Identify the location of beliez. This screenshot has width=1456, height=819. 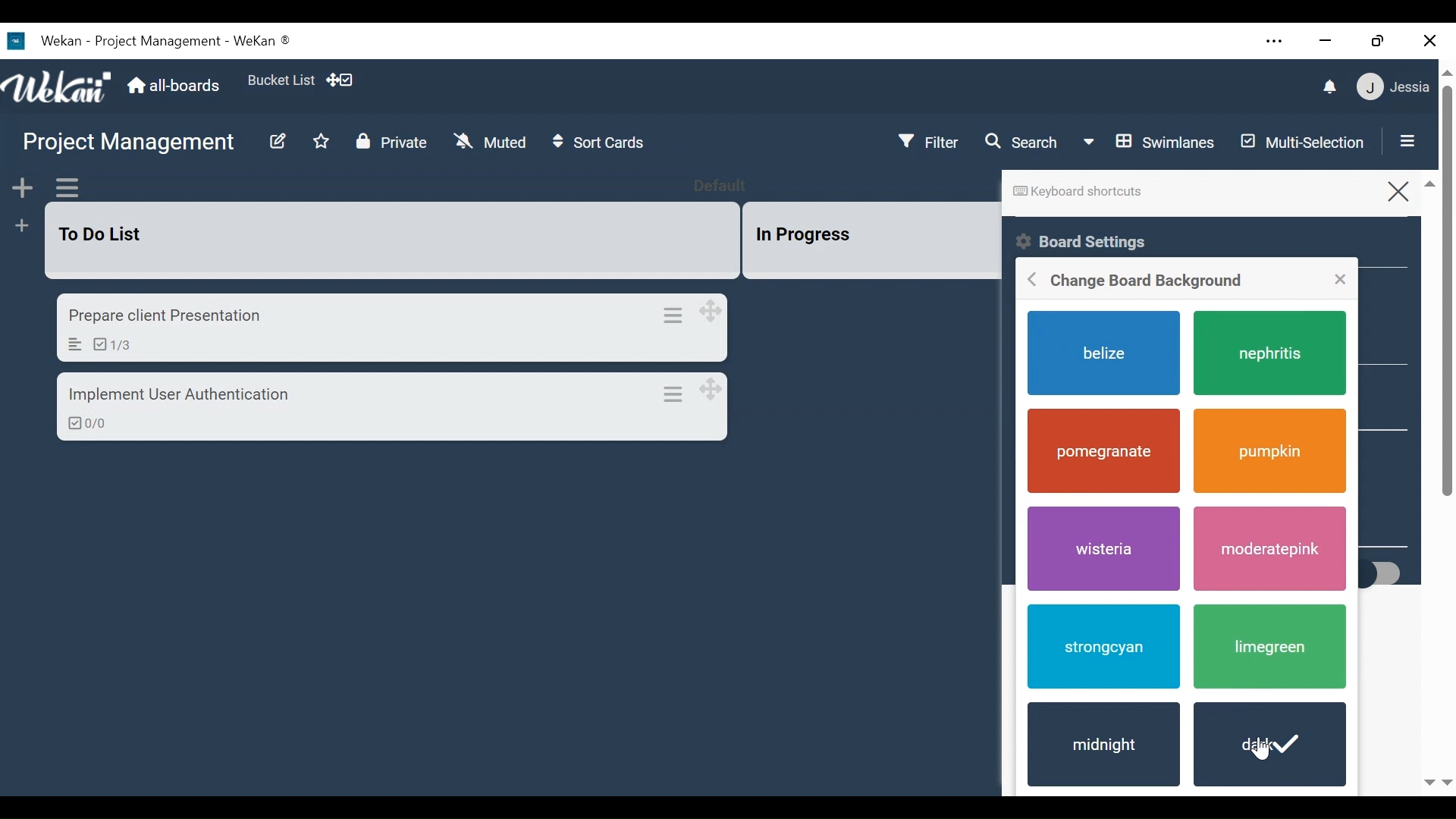
(1105, 354).